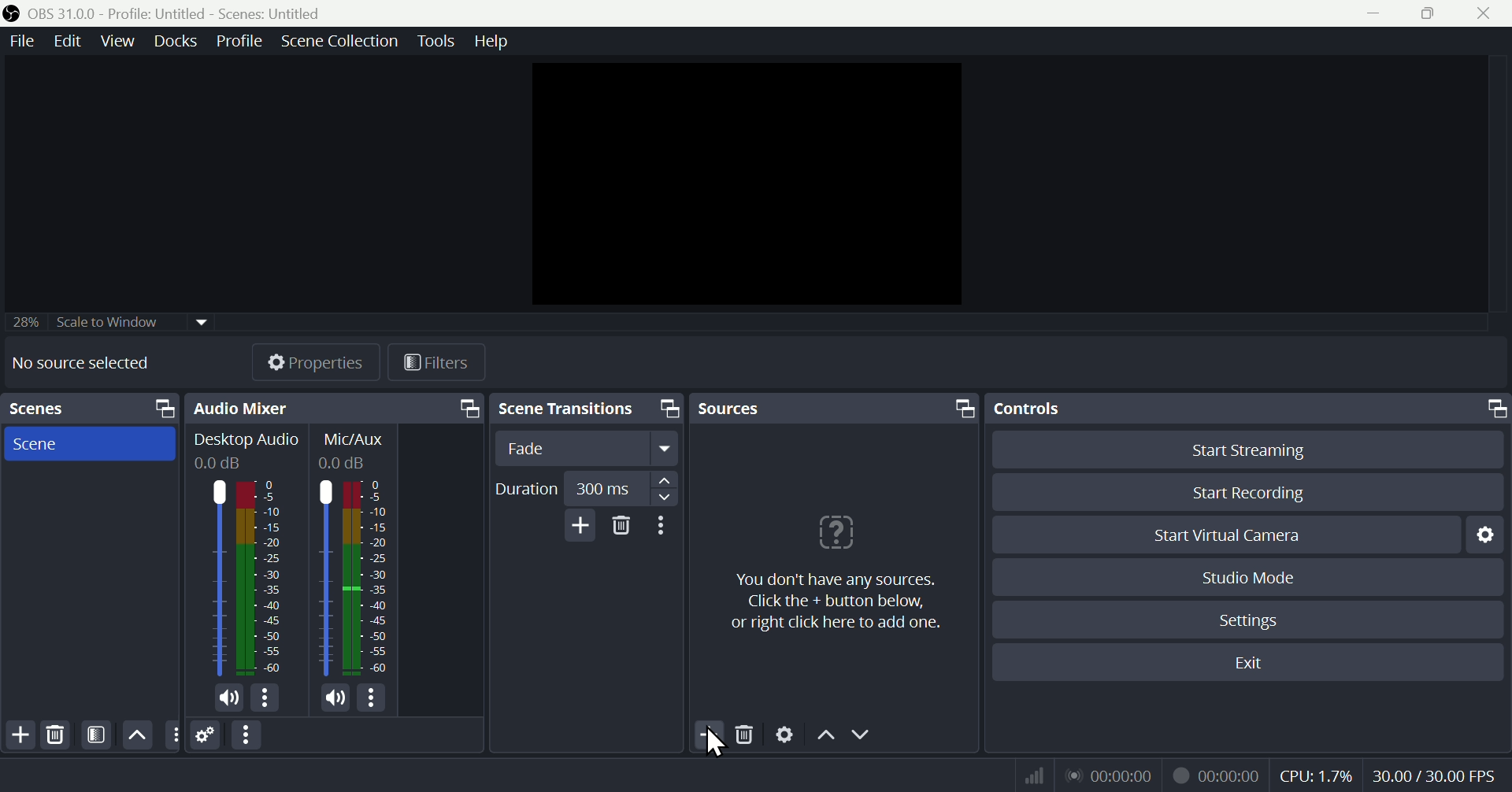  I want to click on , so click(172, 735).